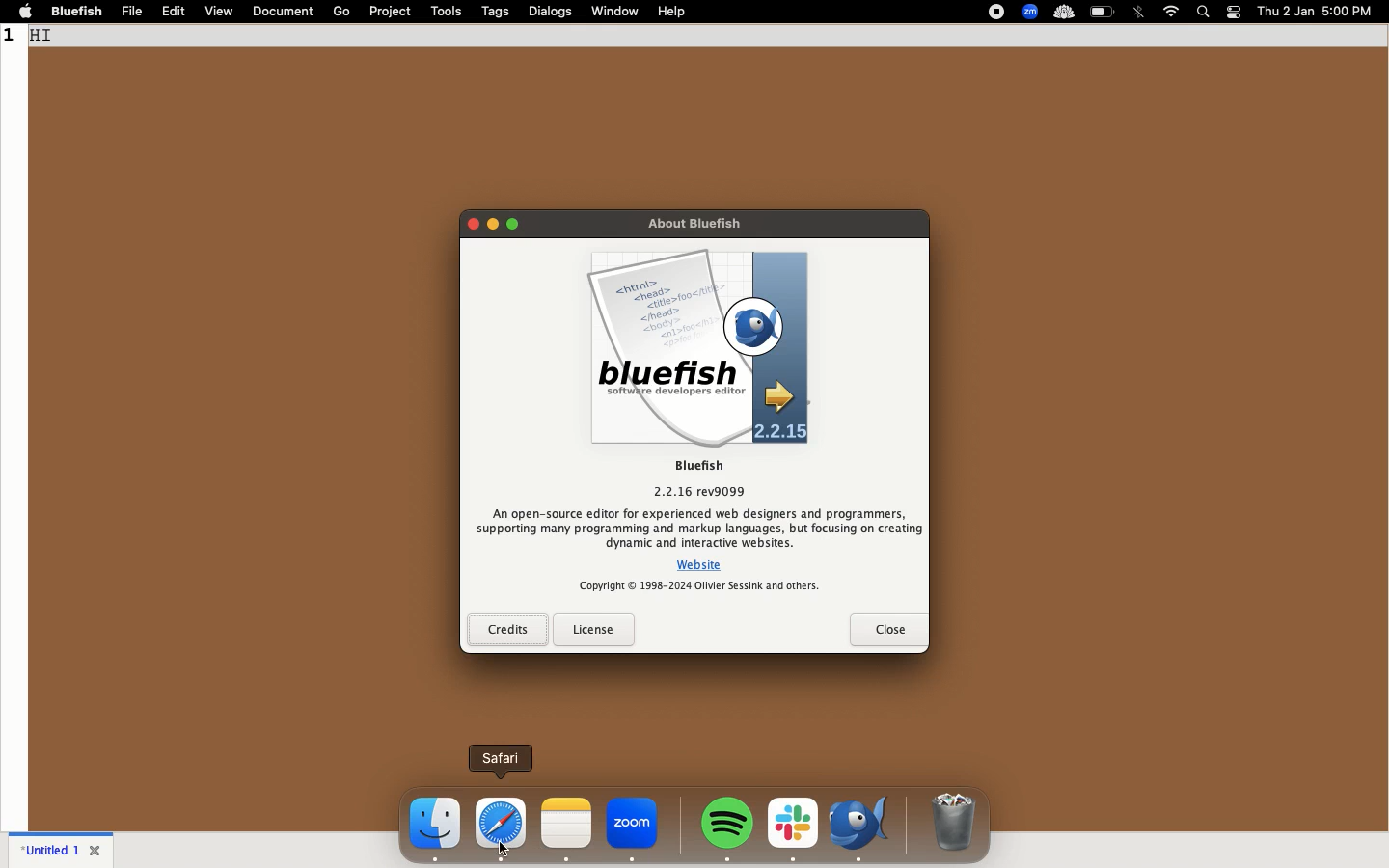 The height and width of the screenshot is (868, 1389). I want to click on Spotify, so click(731, 824).